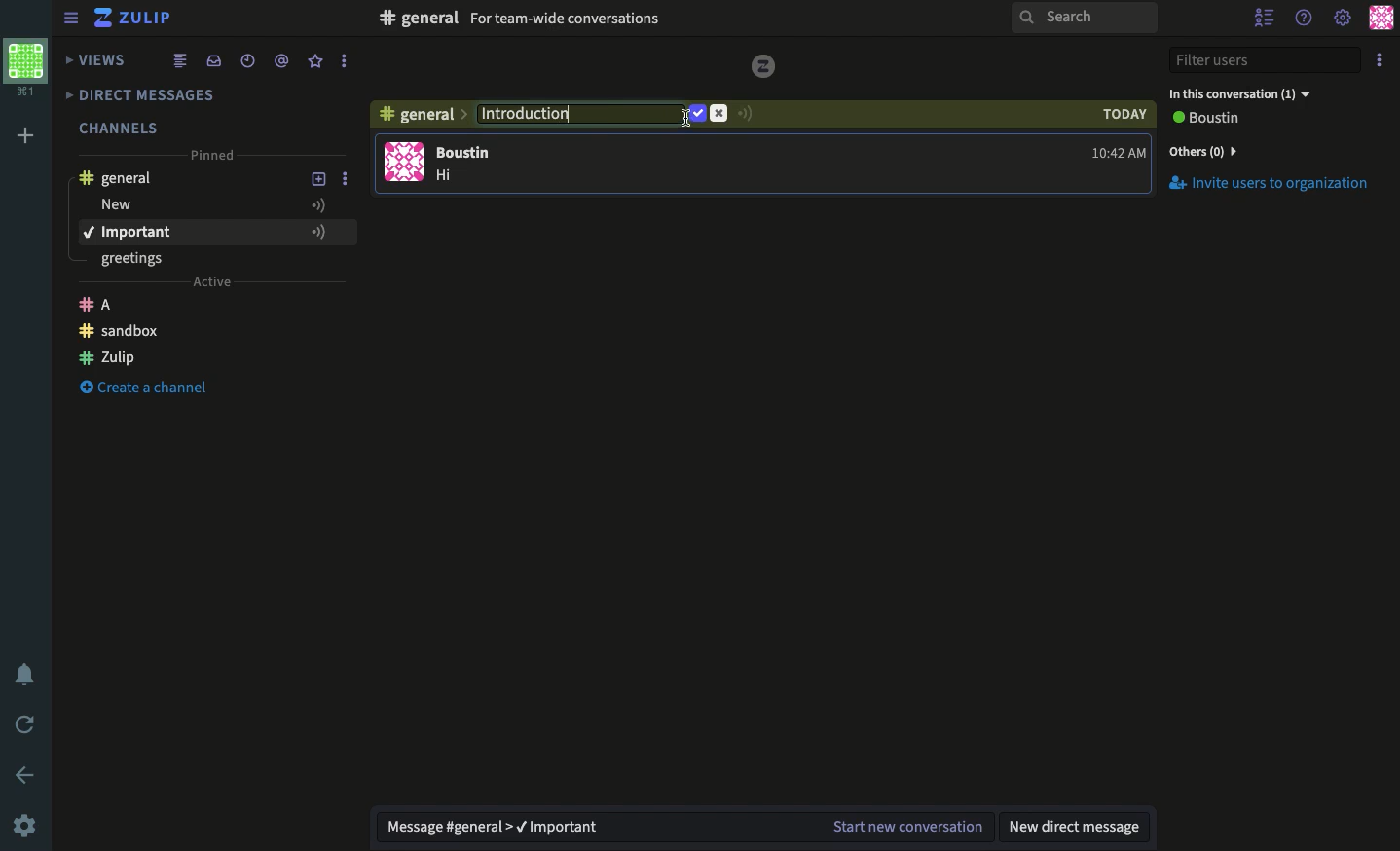 The height and width of the screenshot is (851, 1400). What do you see at coordinates (406, 163) in the screenshot?
I see `user profile` at bounding box center [406, 163].